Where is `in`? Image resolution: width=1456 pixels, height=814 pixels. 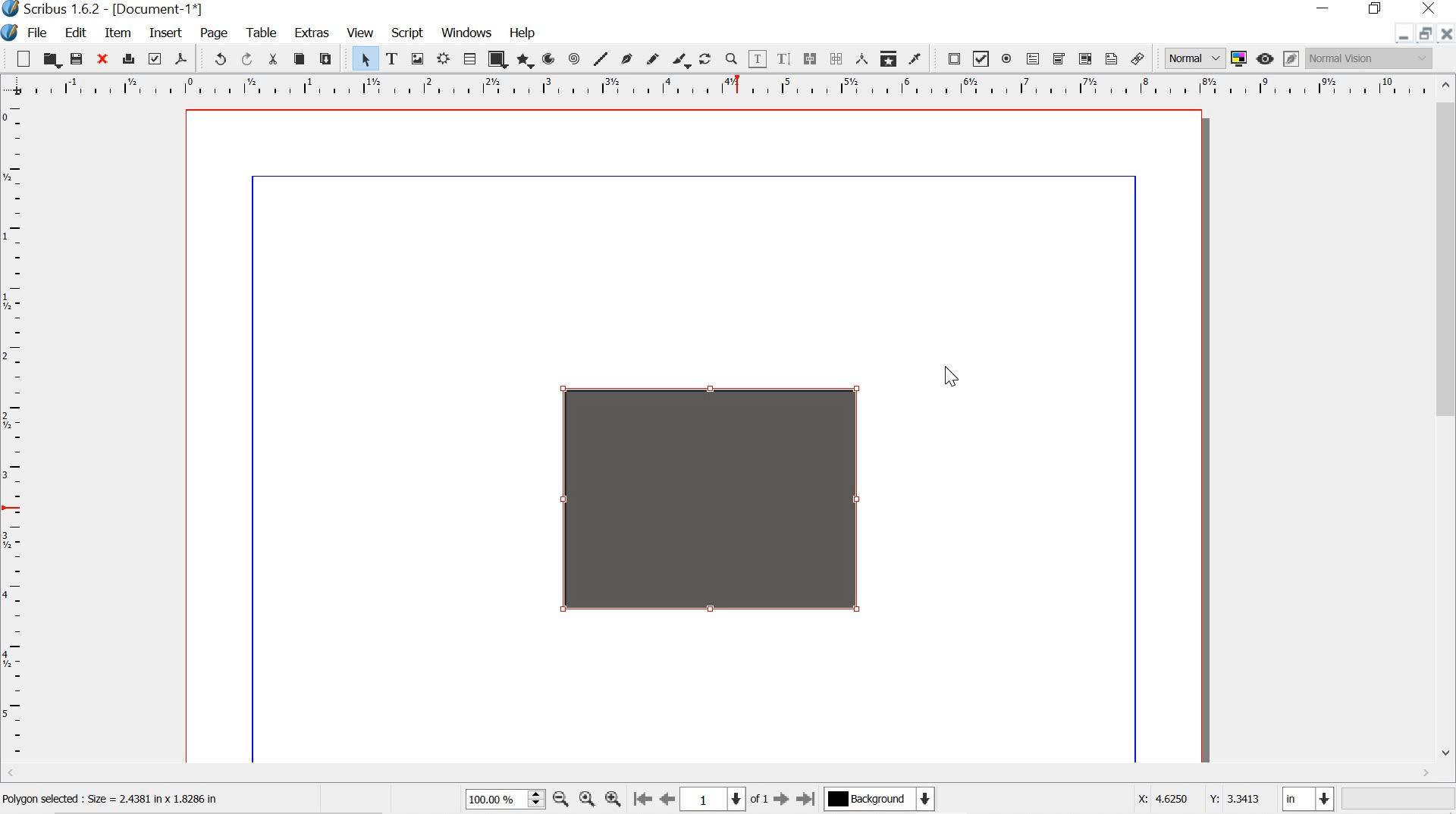 in is located at coordinates (1307, 800).